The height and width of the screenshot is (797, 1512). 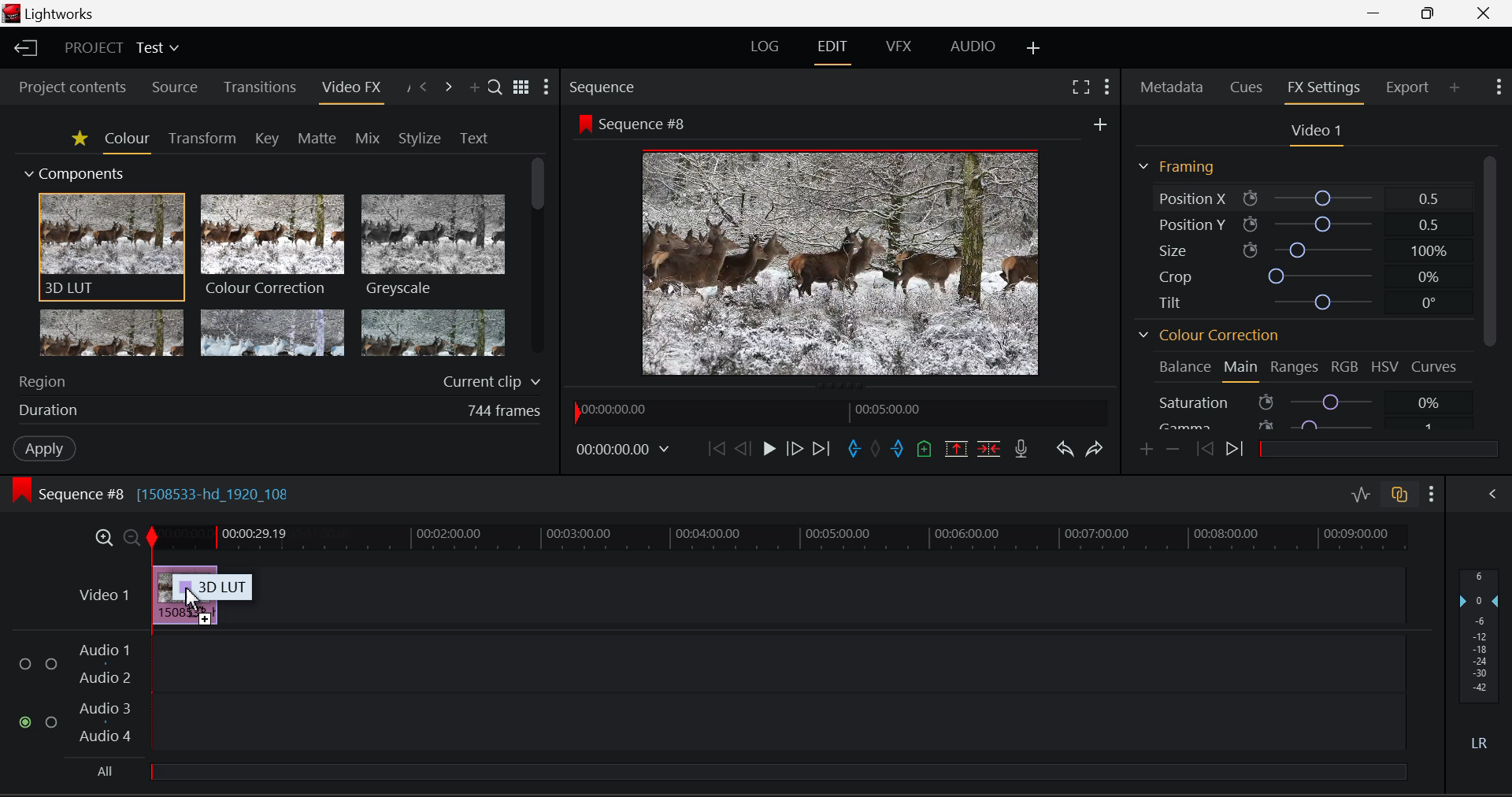 I want to click on Effect duration, so click(x=277, y=410).